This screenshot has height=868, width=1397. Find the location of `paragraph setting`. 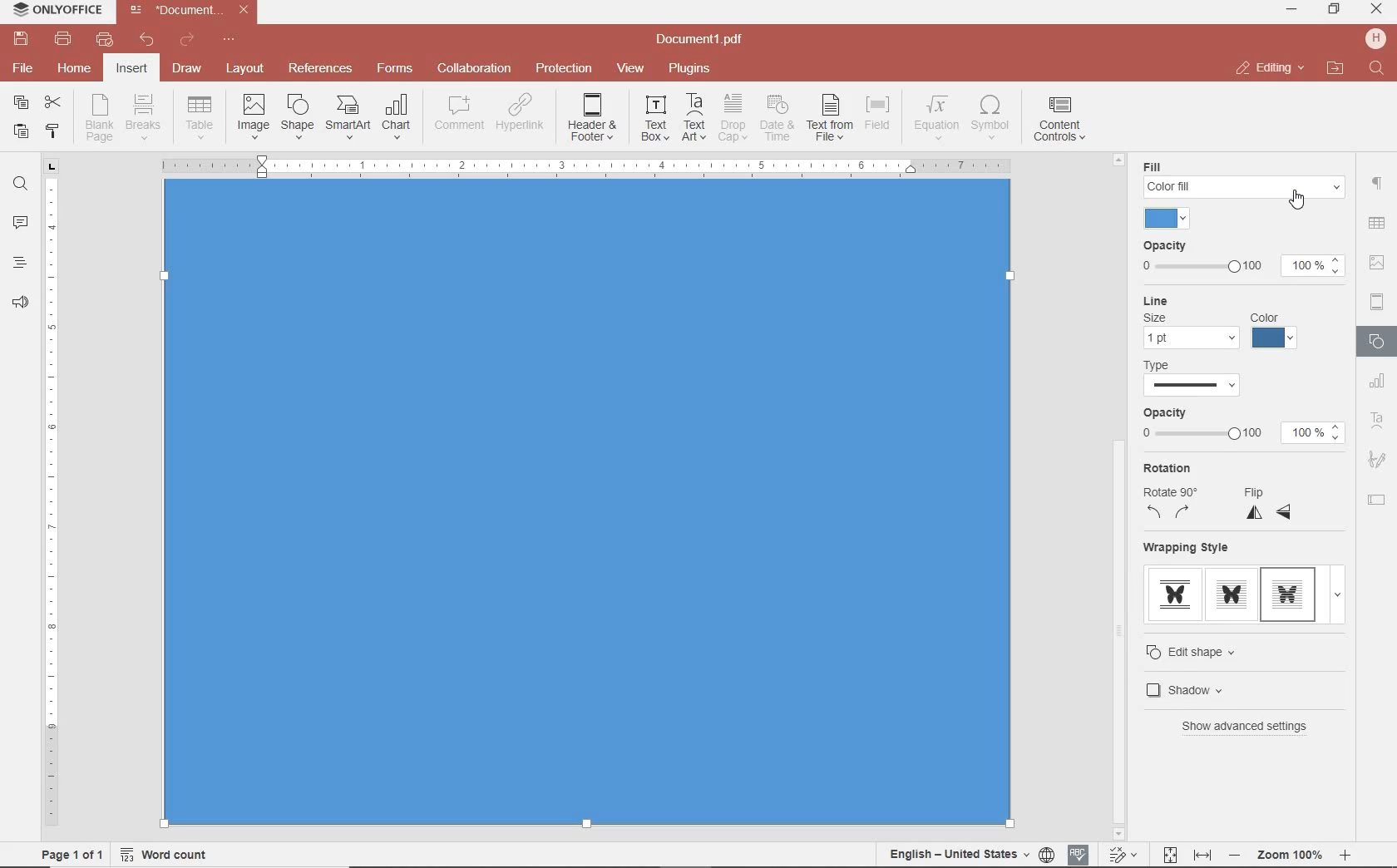

paragraph setting is located at coordinates (1378, 181).